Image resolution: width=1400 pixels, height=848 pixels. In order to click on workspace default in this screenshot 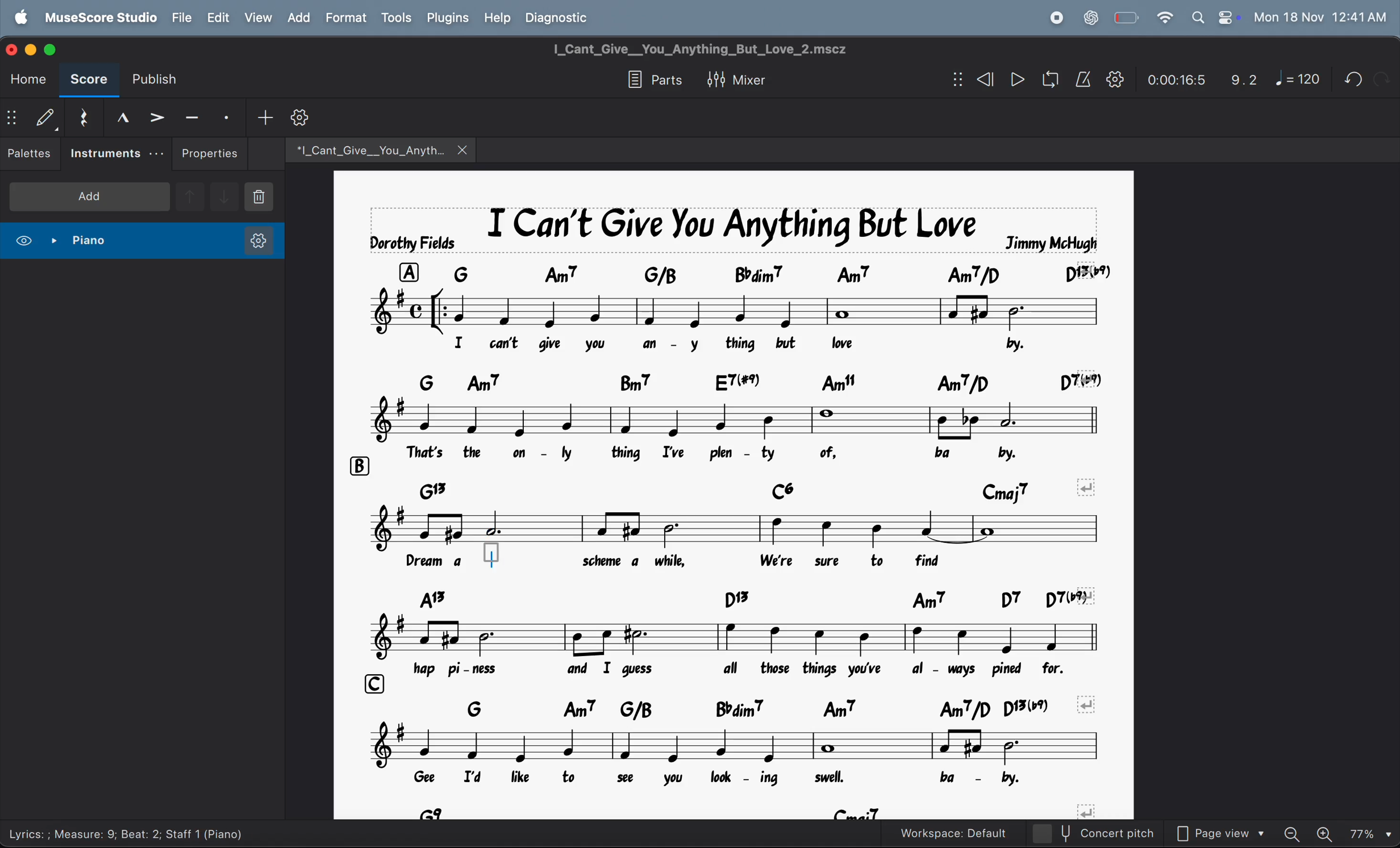, I will do `click(948, 833)`.